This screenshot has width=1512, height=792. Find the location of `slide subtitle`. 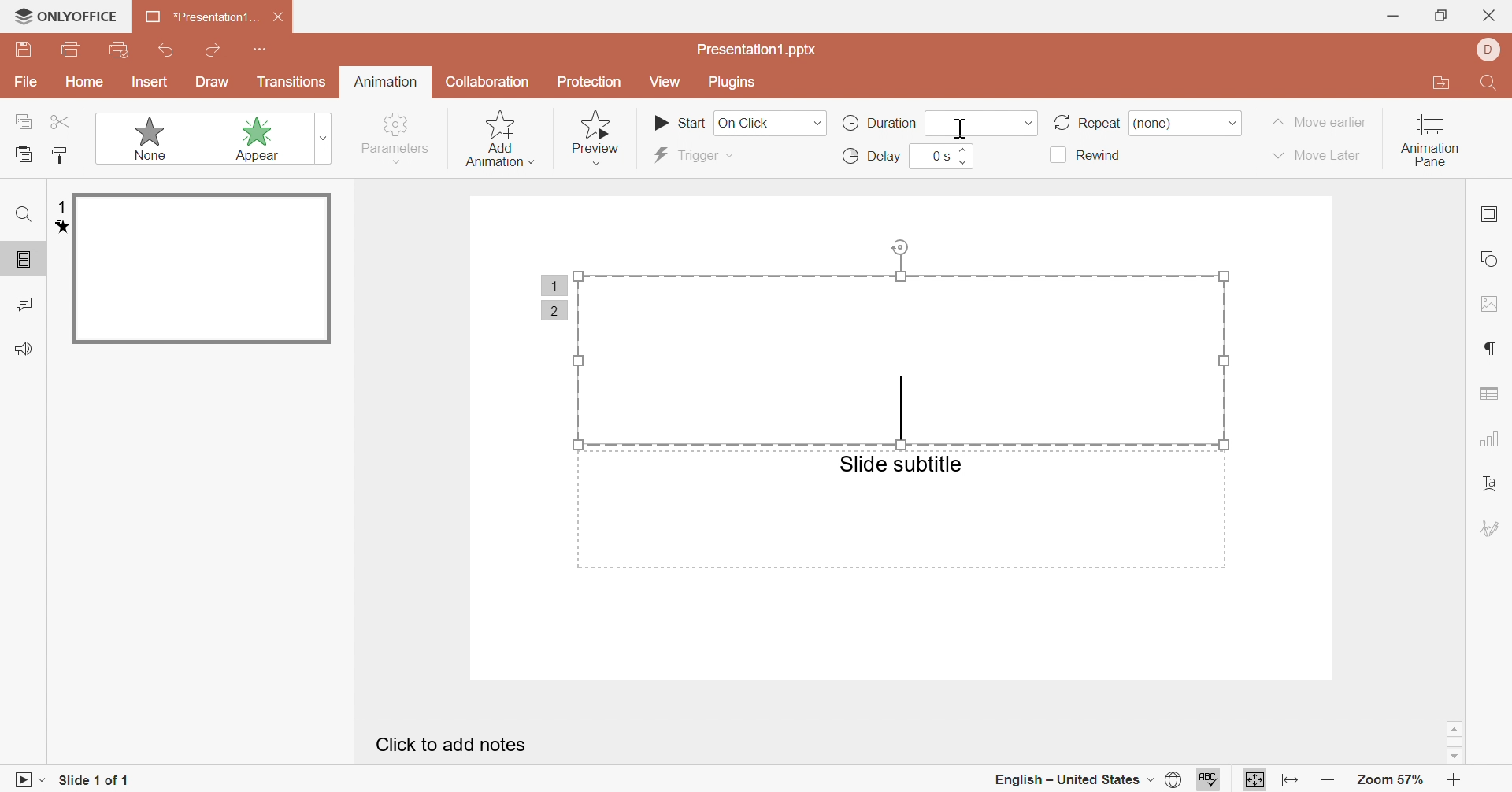

slide subtitle is located at coordinates (901, 464).